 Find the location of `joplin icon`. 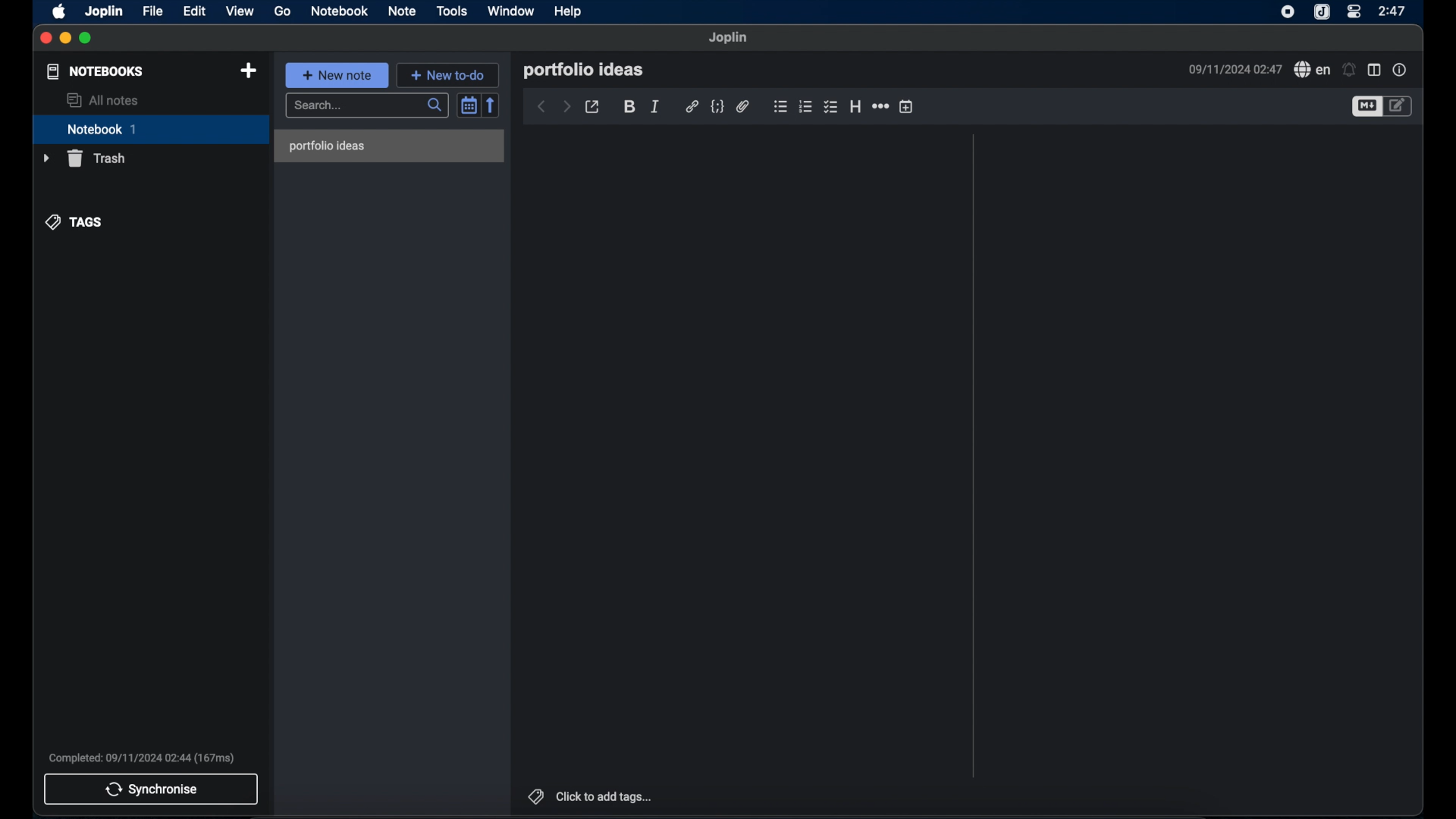

joplin icon is located at coordinates (1322, 13).